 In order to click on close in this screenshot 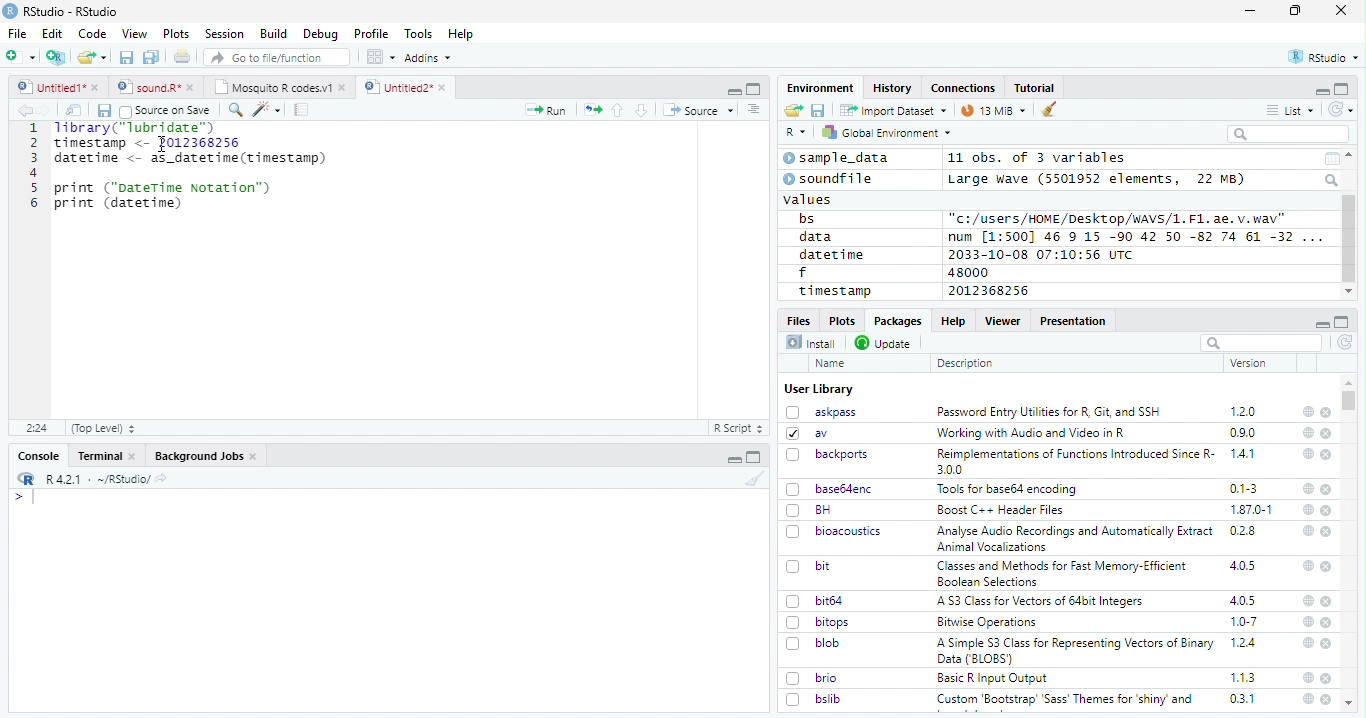, I will do `click(1328, 532)`.